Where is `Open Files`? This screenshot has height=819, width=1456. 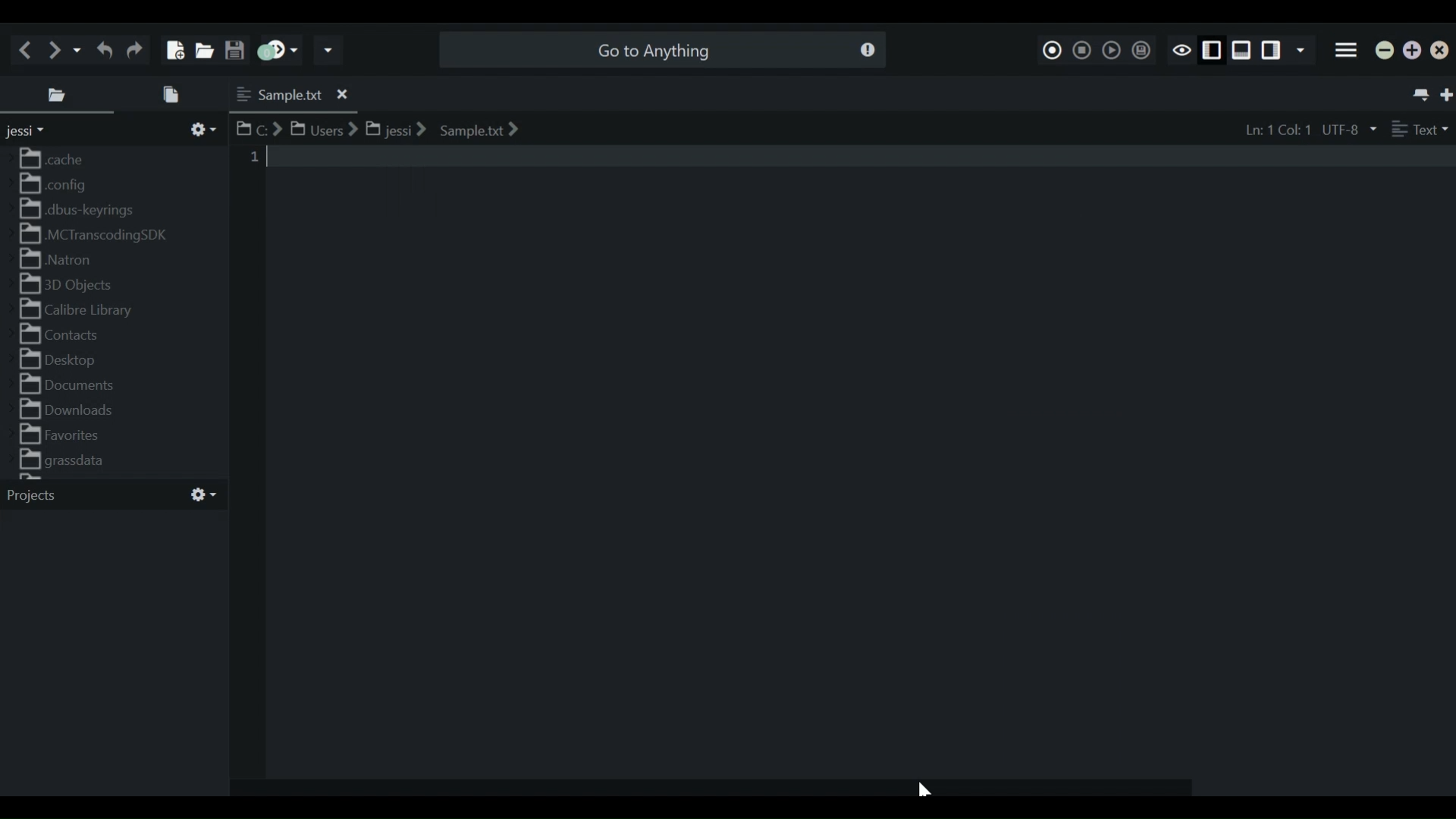
Open Files is located at coordinates (176, 96).